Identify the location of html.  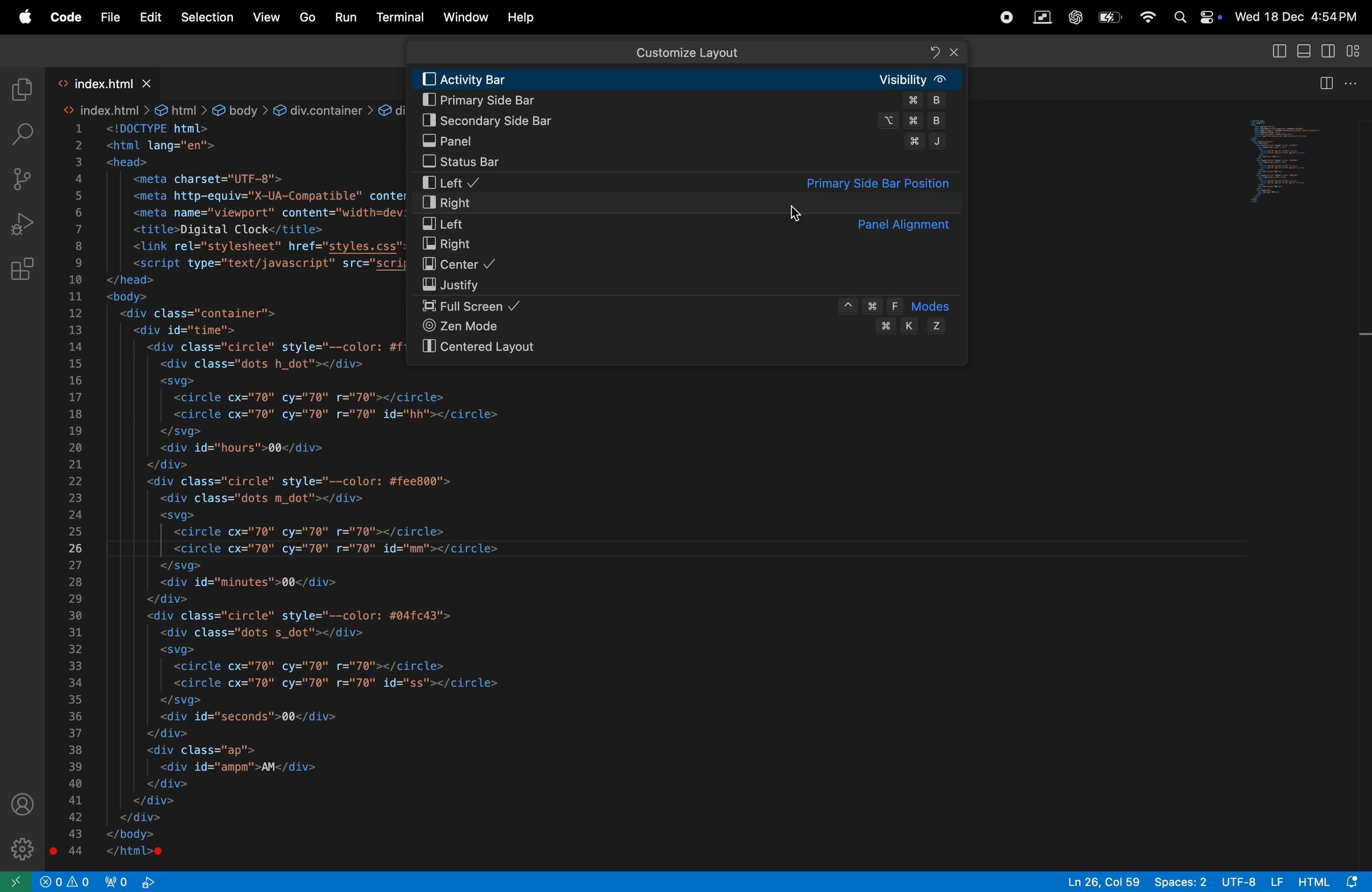
(1332, 880).